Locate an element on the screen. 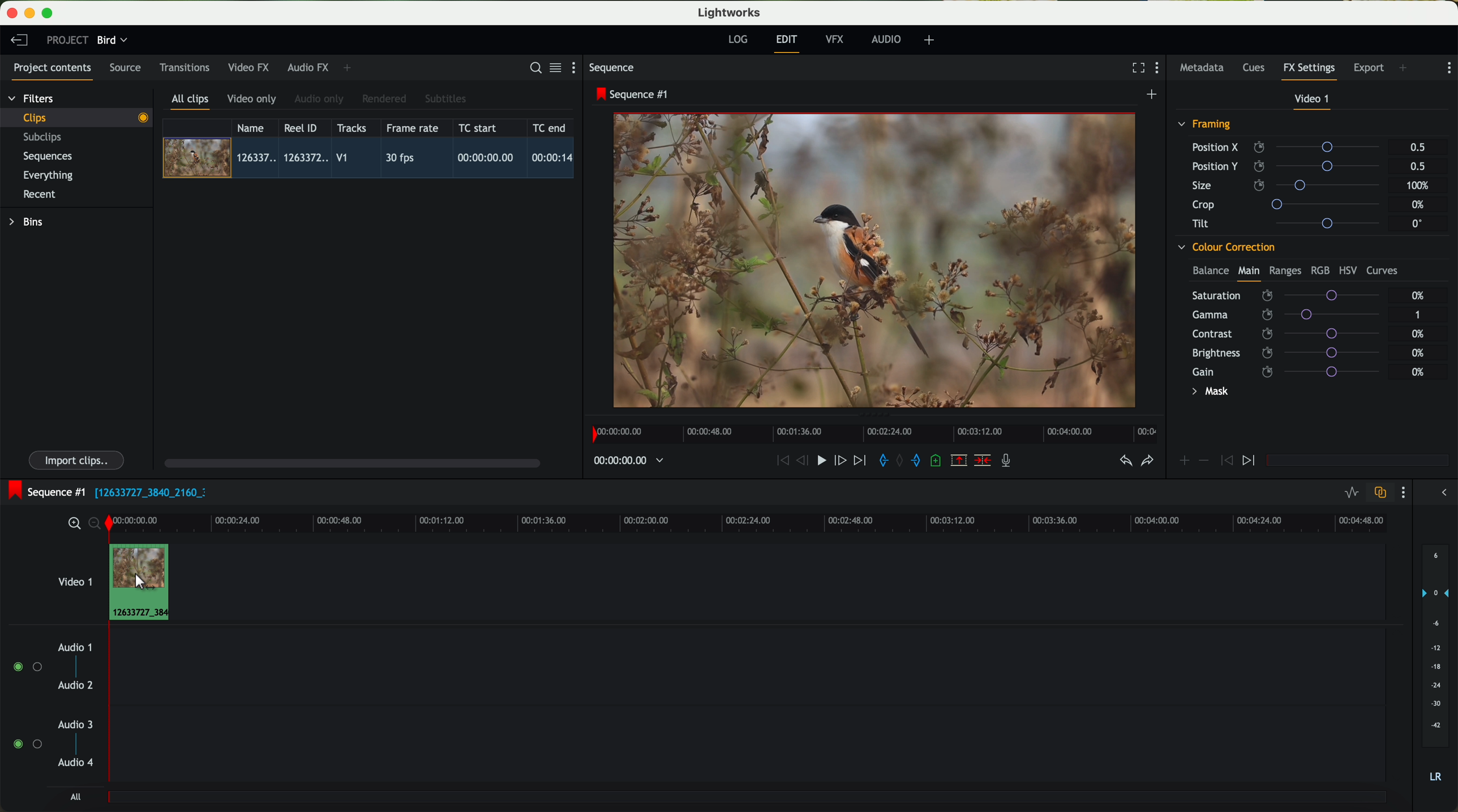 Image resolution: width=1458 pixels, height=812 pixels. icon is located at coordinates (1203, 461).